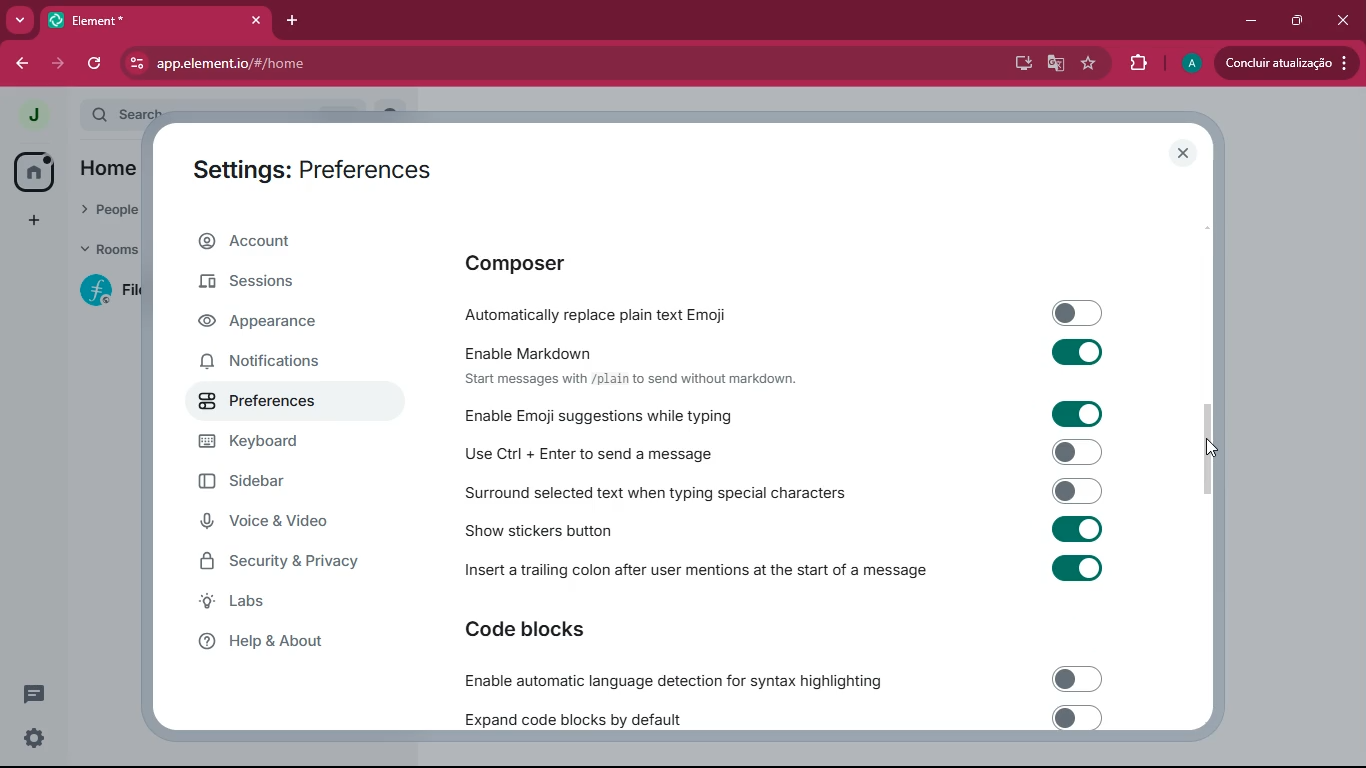 This screenshot has width=1366, height=768. Describe the element at coordinates (19, 19) in the screenshot. I see `more` at that location.